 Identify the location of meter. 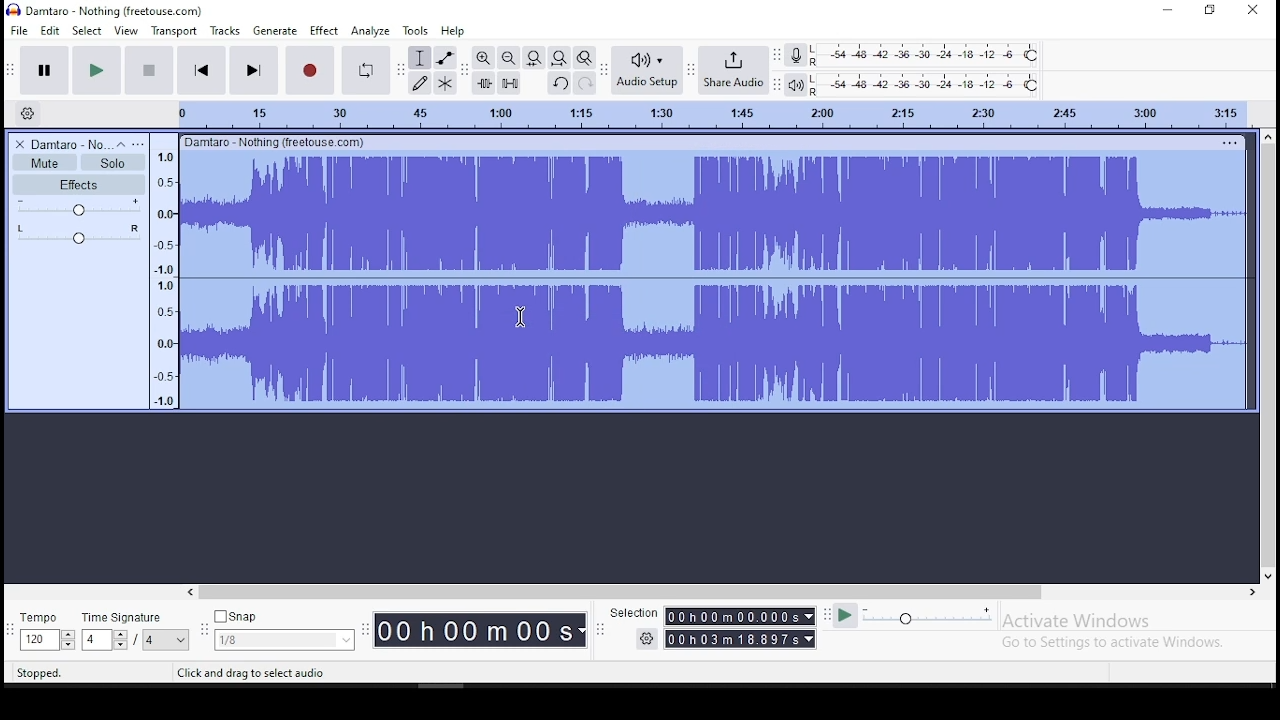
(163, 277).